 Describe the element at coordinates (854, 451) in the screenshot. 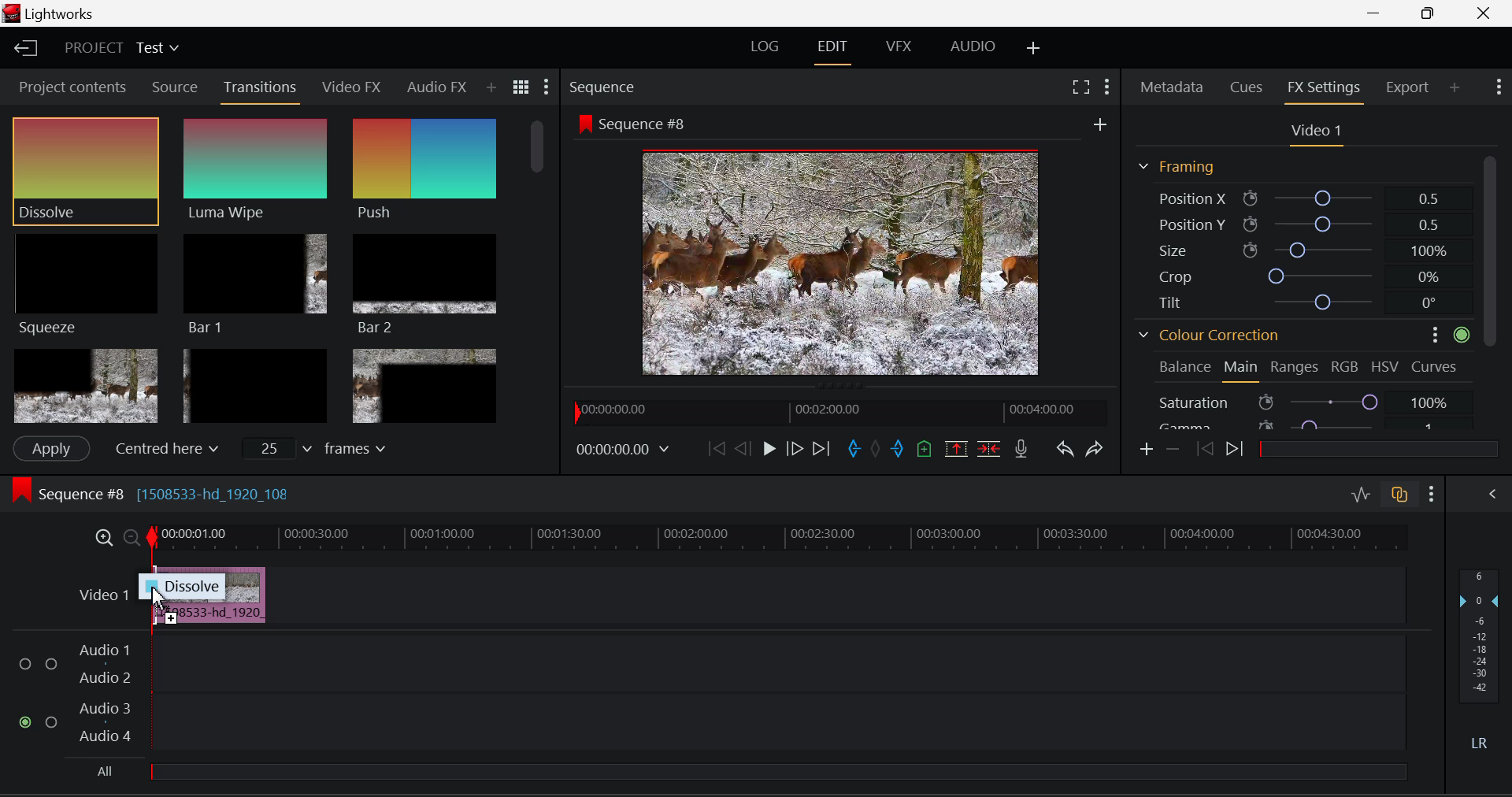

I see `Mark In` at that location.